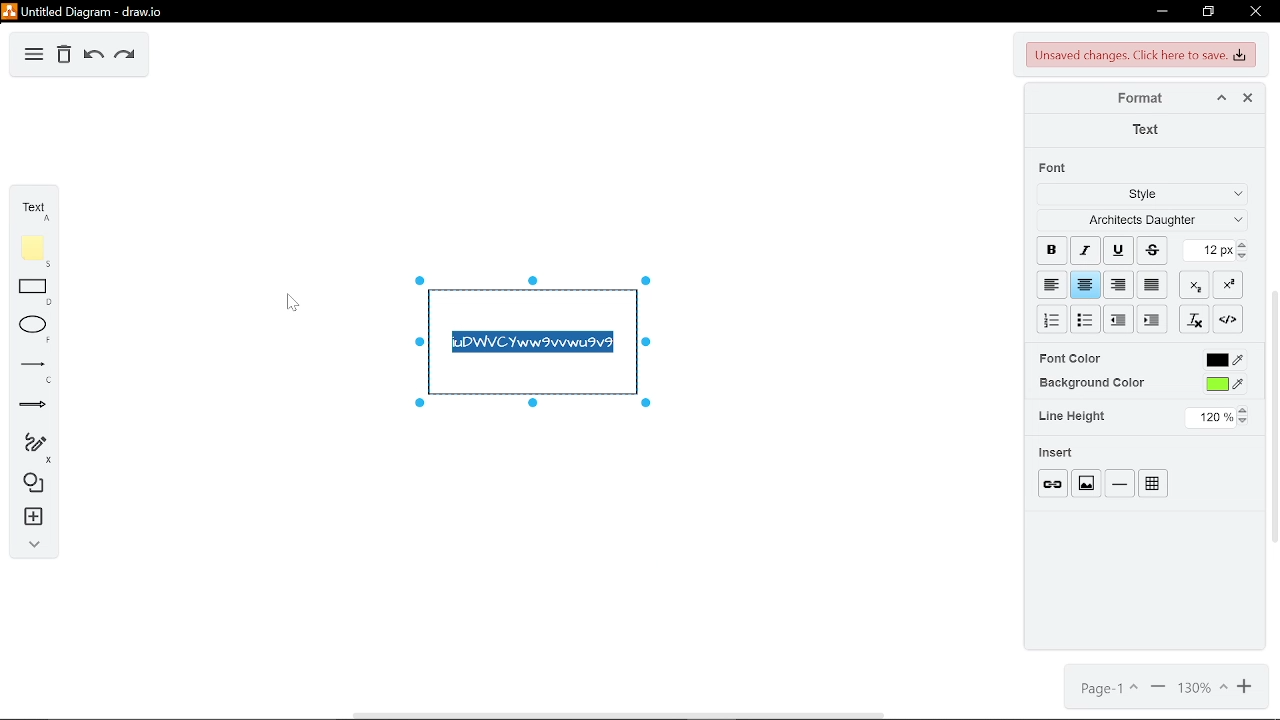 This screenshot has width=1280, height=720. Describe the element at coordinates (29, 548) in the screenshot. I see `collapse` at that location.